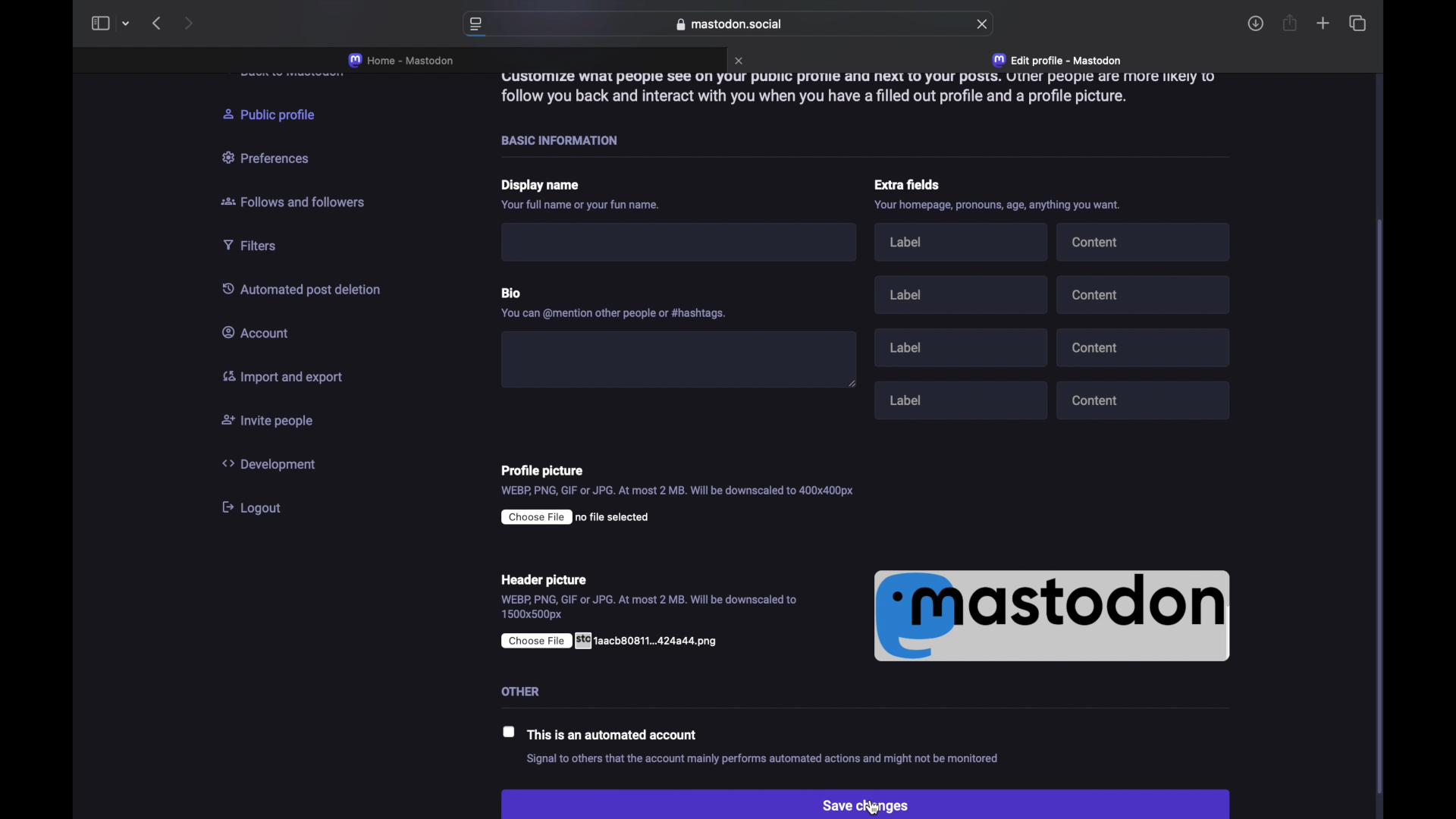 The height and width of the screenshot is (819, 1456). What do you see at coordinates (291, 378) in the screenshot?
I see `Import and export` at bounding box center [291, 378].